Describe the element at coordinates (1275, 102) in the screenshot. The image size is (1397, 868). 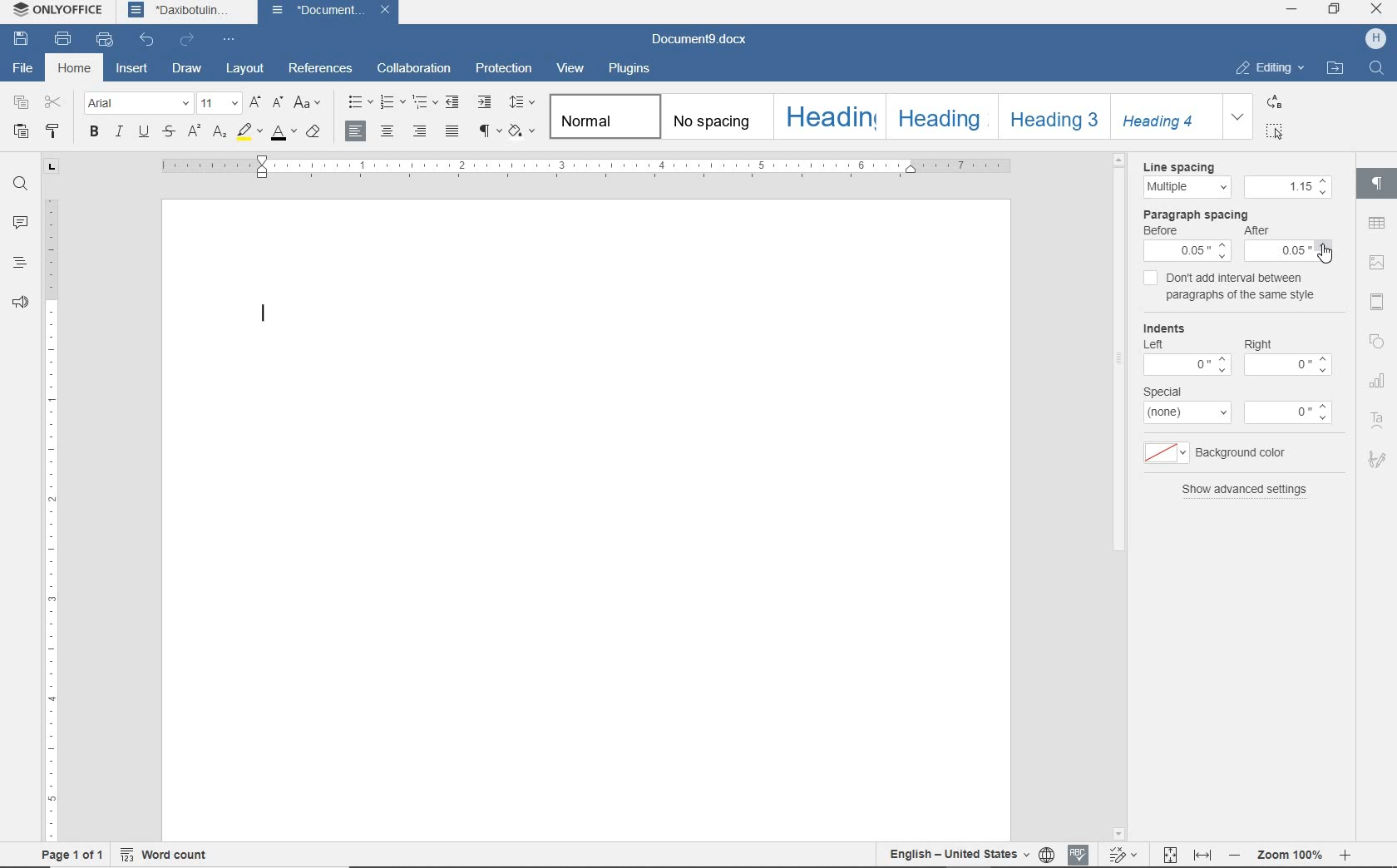
I see `REPLACE` at that location.